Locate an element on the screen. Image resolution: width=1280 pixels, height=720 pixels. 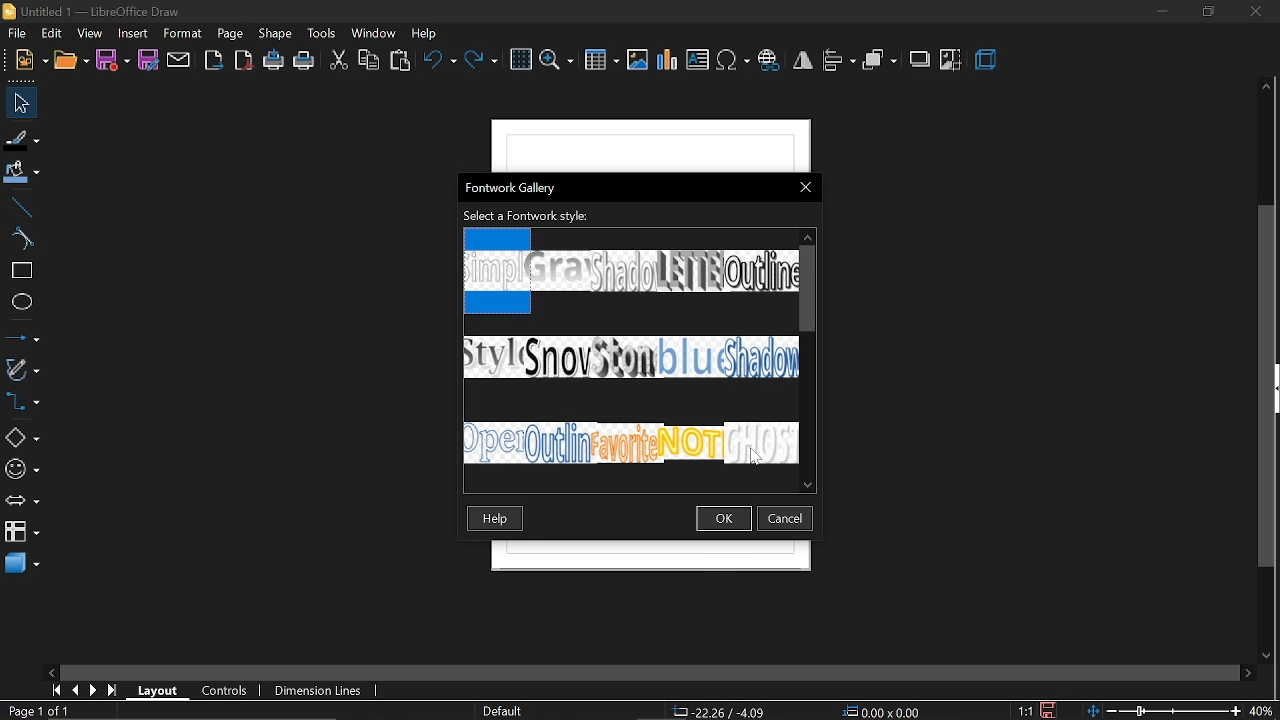
format is located at coordinates (183, 33).